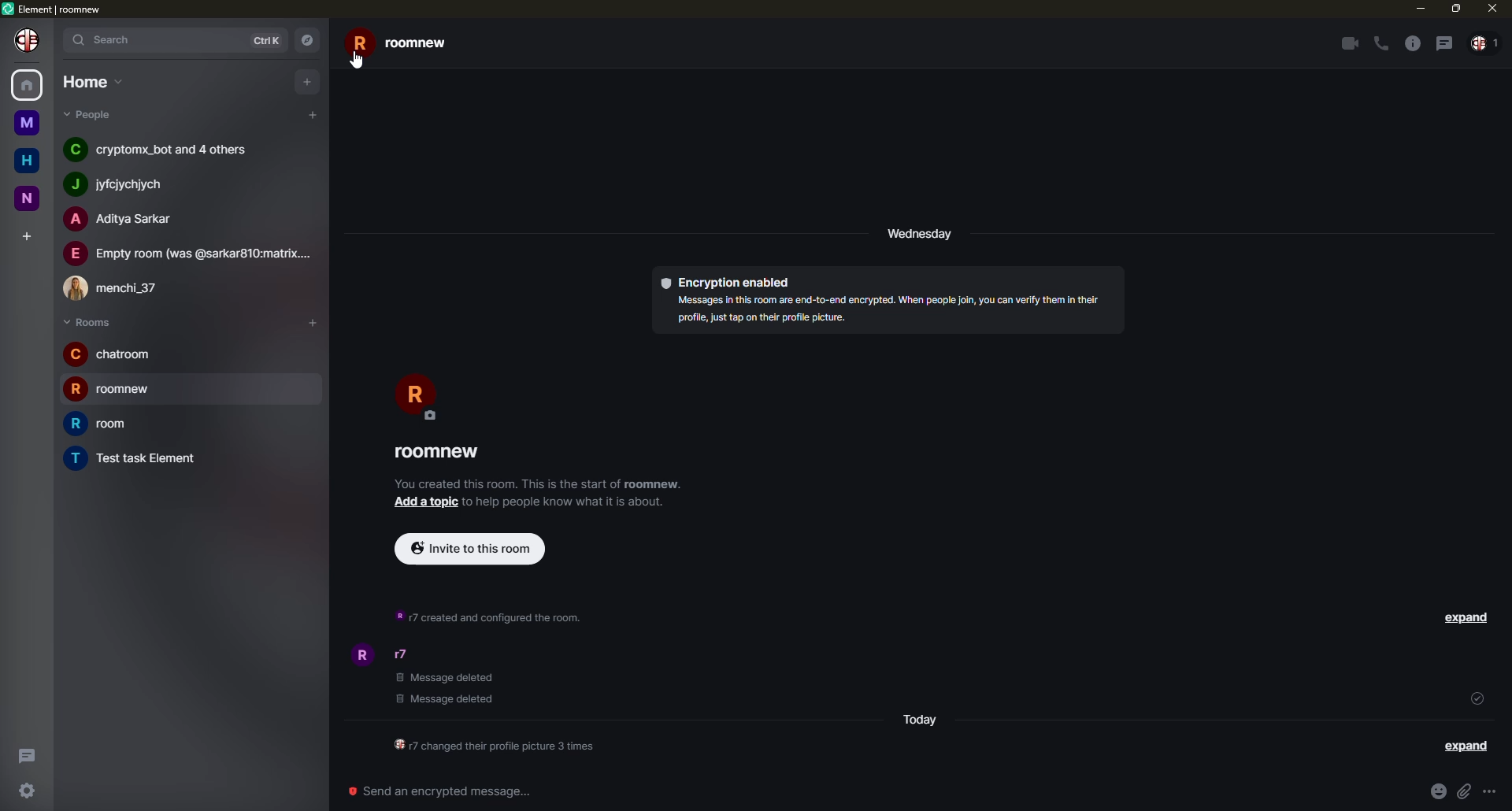 The width and height of the screenshot is (1512, 811). I want to click on people, so click(124, 183).